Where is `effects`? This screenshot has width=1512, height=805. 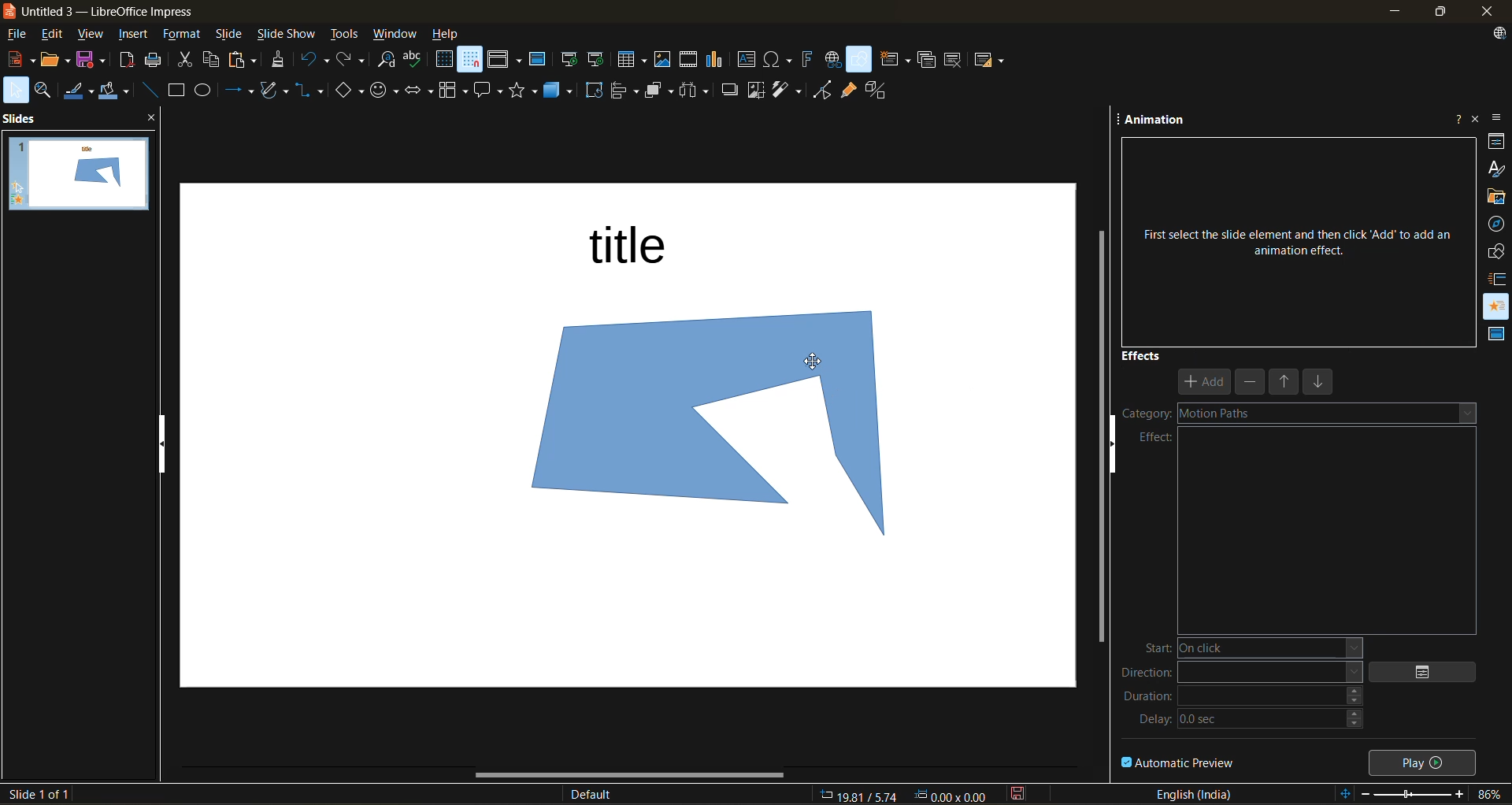 effects is located at coordinates (1148, 354).